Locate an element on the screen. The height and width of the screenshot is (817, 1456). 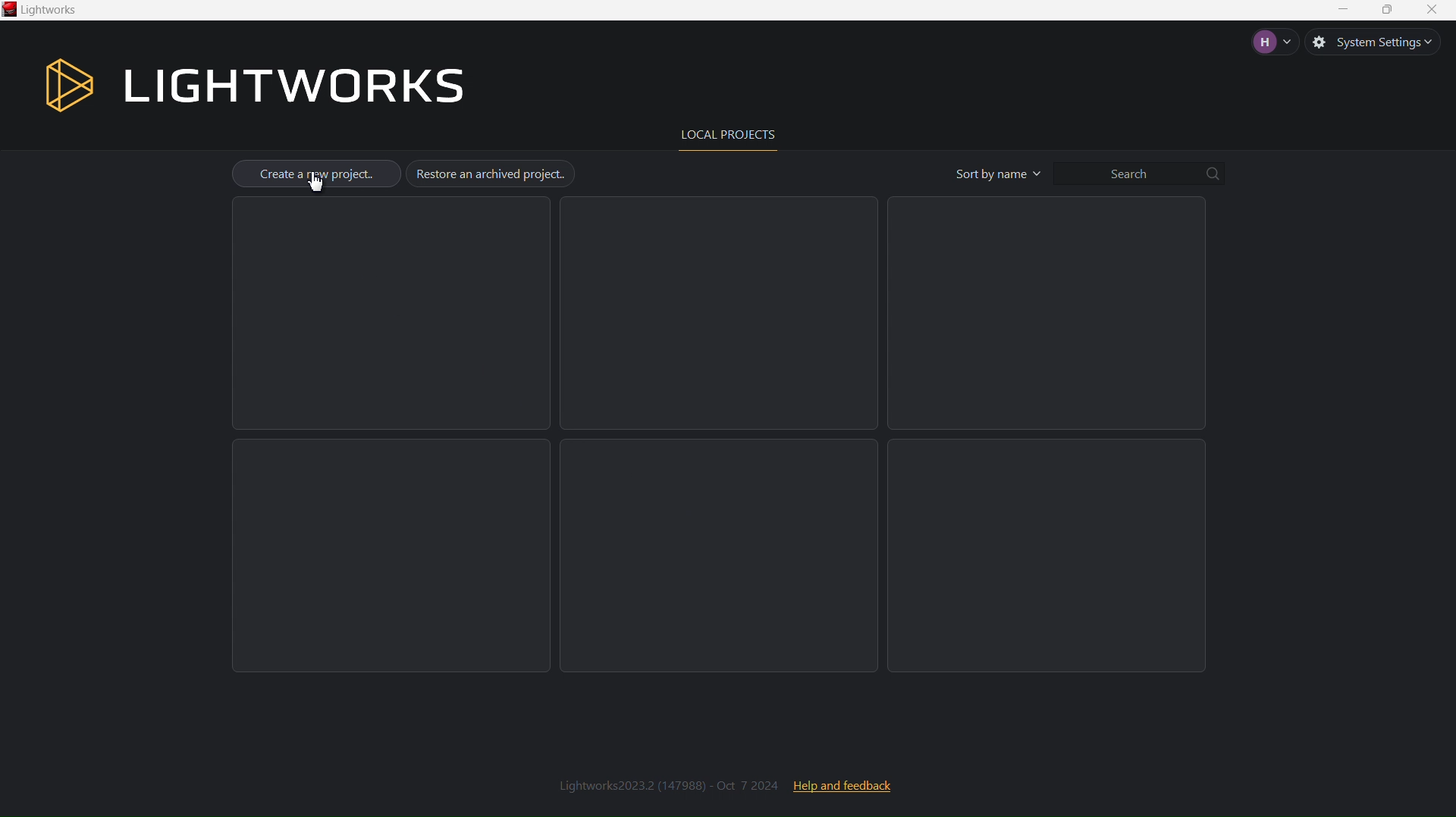
Logo is located at coordinates (63, 85).